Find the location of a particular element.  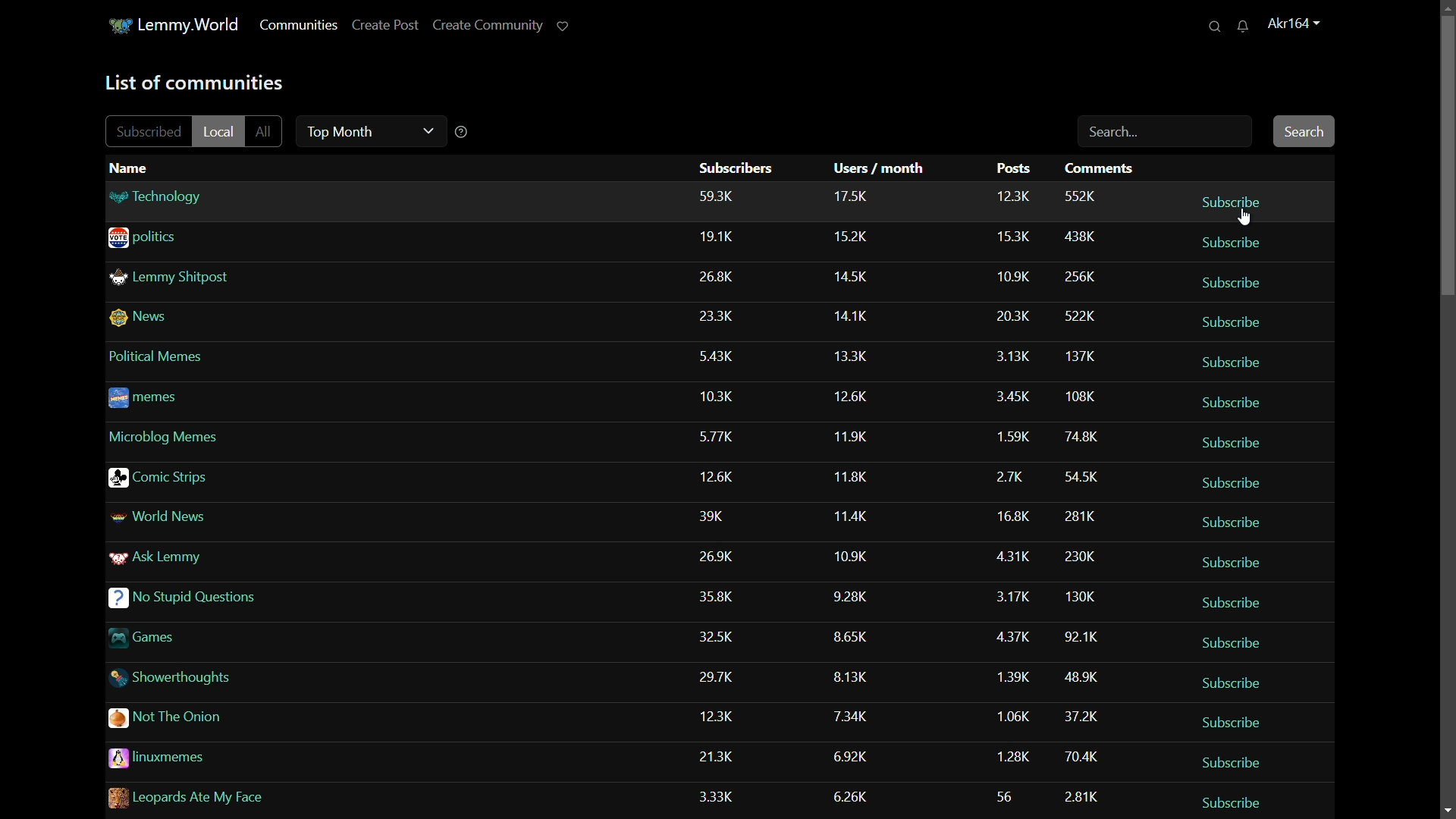

communities name is located at coordinates (235, 562).